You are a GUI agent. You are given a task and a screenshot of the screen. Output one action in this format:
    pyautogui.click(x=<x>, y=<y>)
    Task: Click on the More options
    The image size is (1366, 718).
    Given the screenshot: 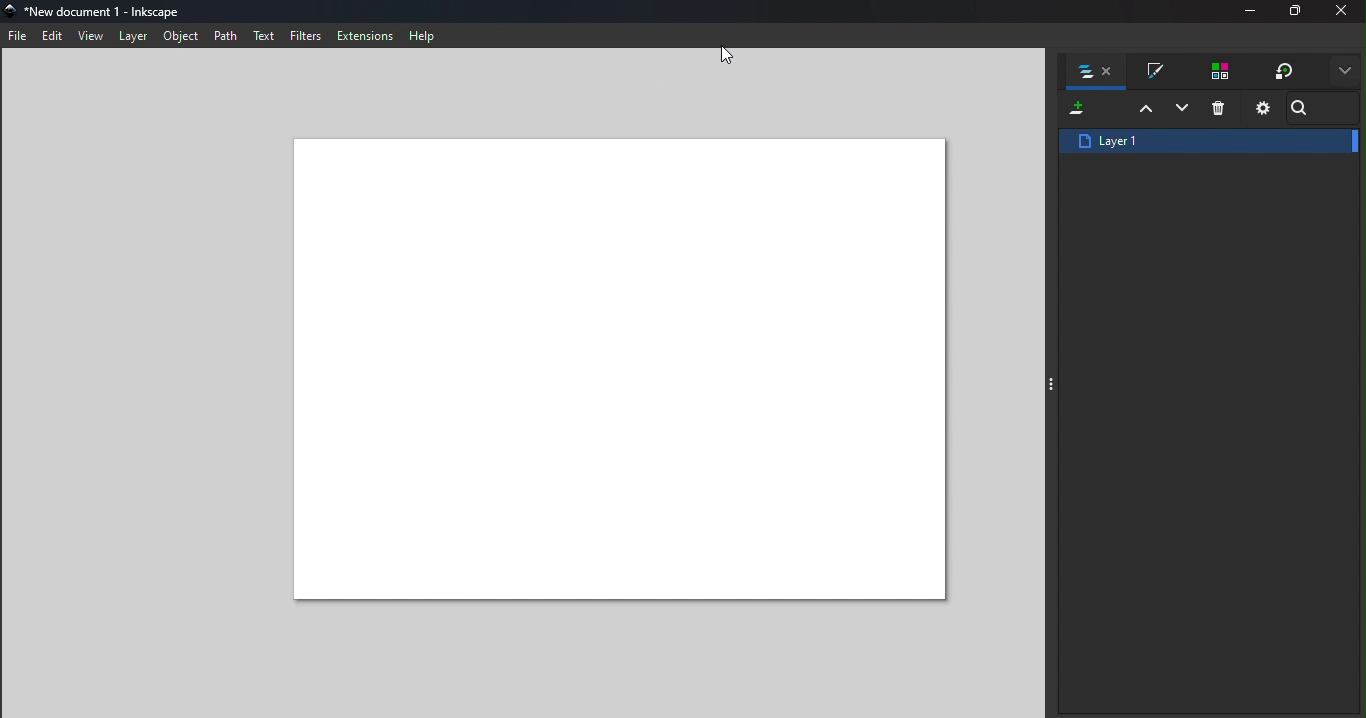 What is the action you would take?
    pyautogui.click(x=1346, y=71)
    